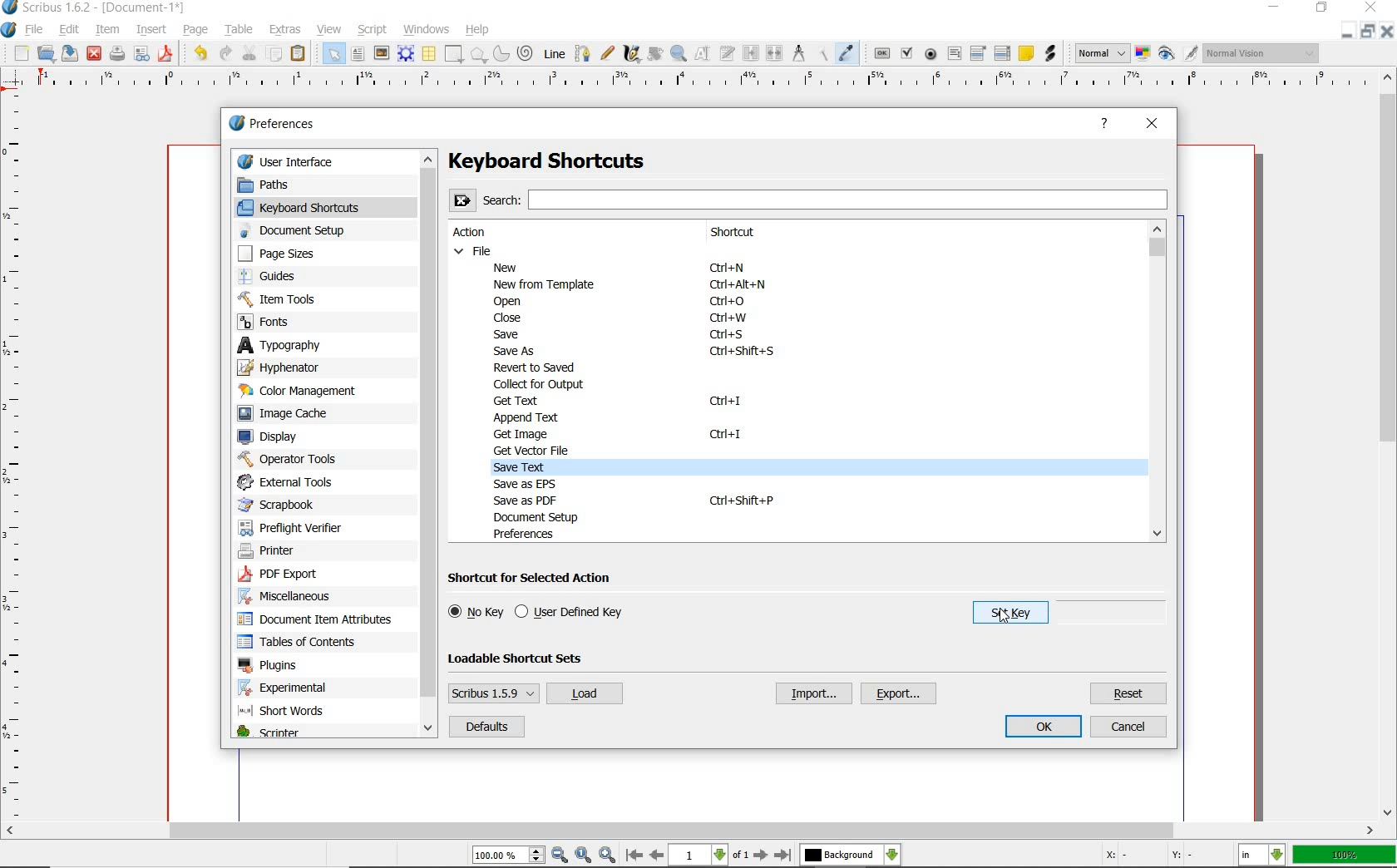 The image size is (1397, 868). Describe the element at coordinates (274, 552) in the screenshot. I see `printer` at that location.